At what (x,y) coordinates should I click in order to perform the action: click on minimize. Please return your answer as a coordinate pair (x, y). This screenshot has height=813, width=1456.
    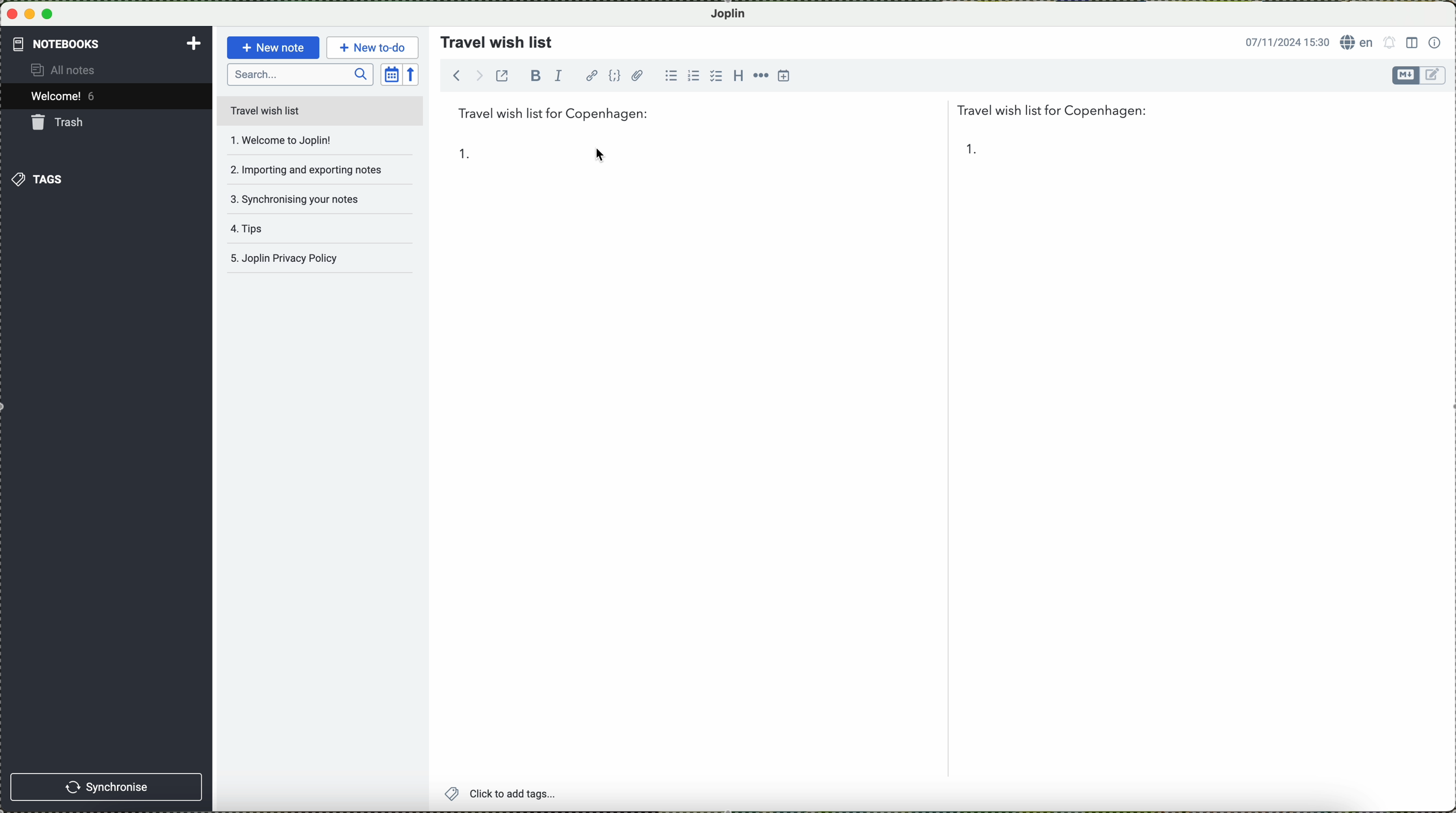
    Looking at the image, I should click on (31, 14).